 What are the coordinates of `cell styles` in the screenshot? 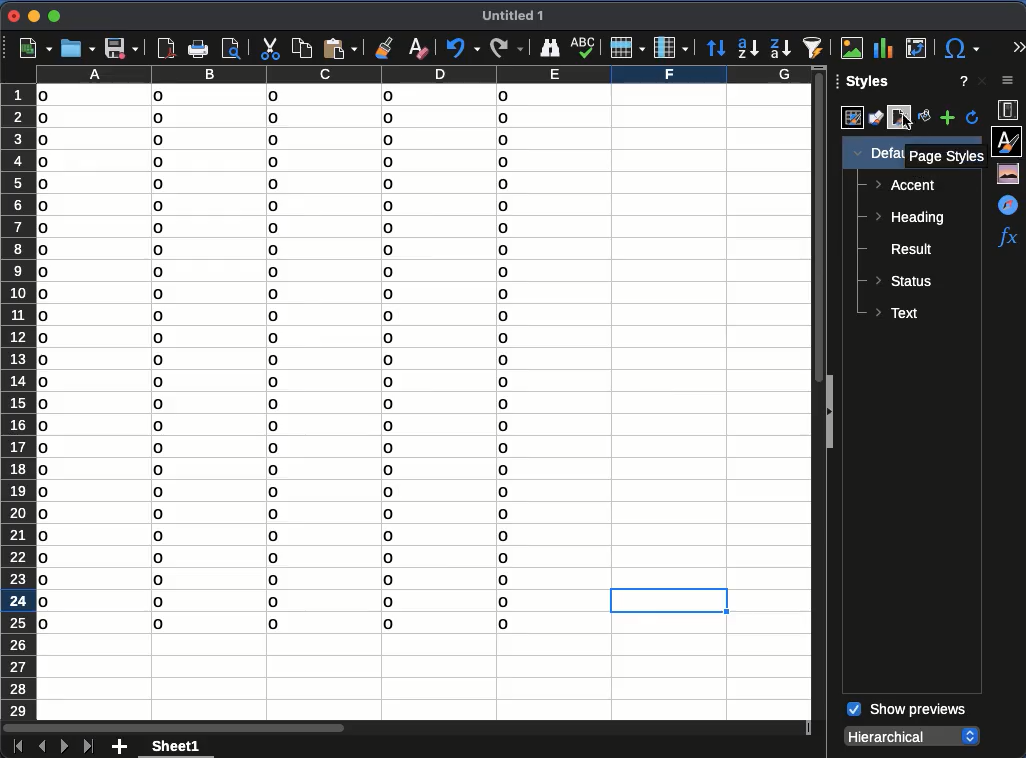 It's located at (850, 118).